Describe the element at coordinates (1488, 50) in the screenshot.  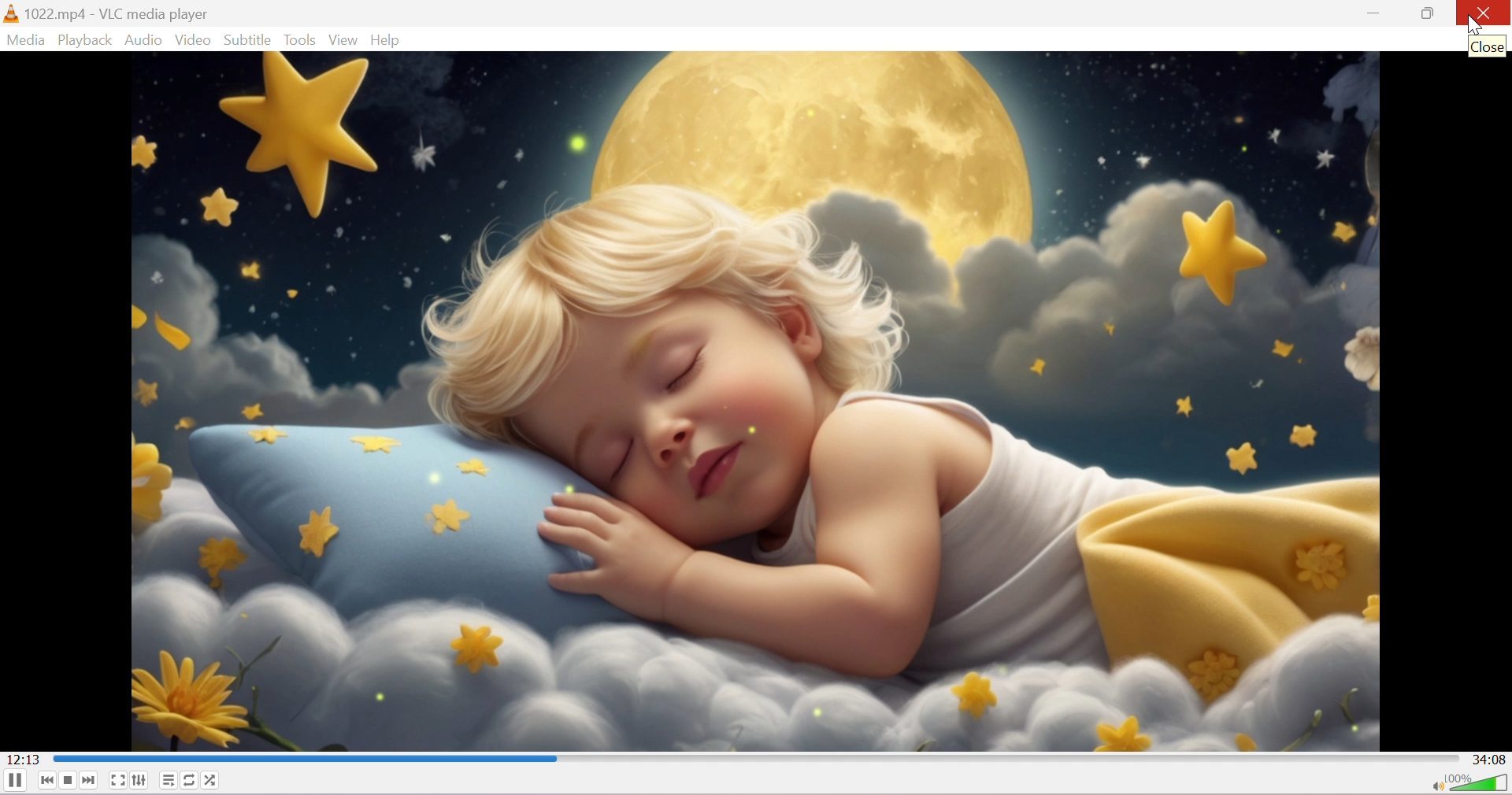
I see `Close` at that location.